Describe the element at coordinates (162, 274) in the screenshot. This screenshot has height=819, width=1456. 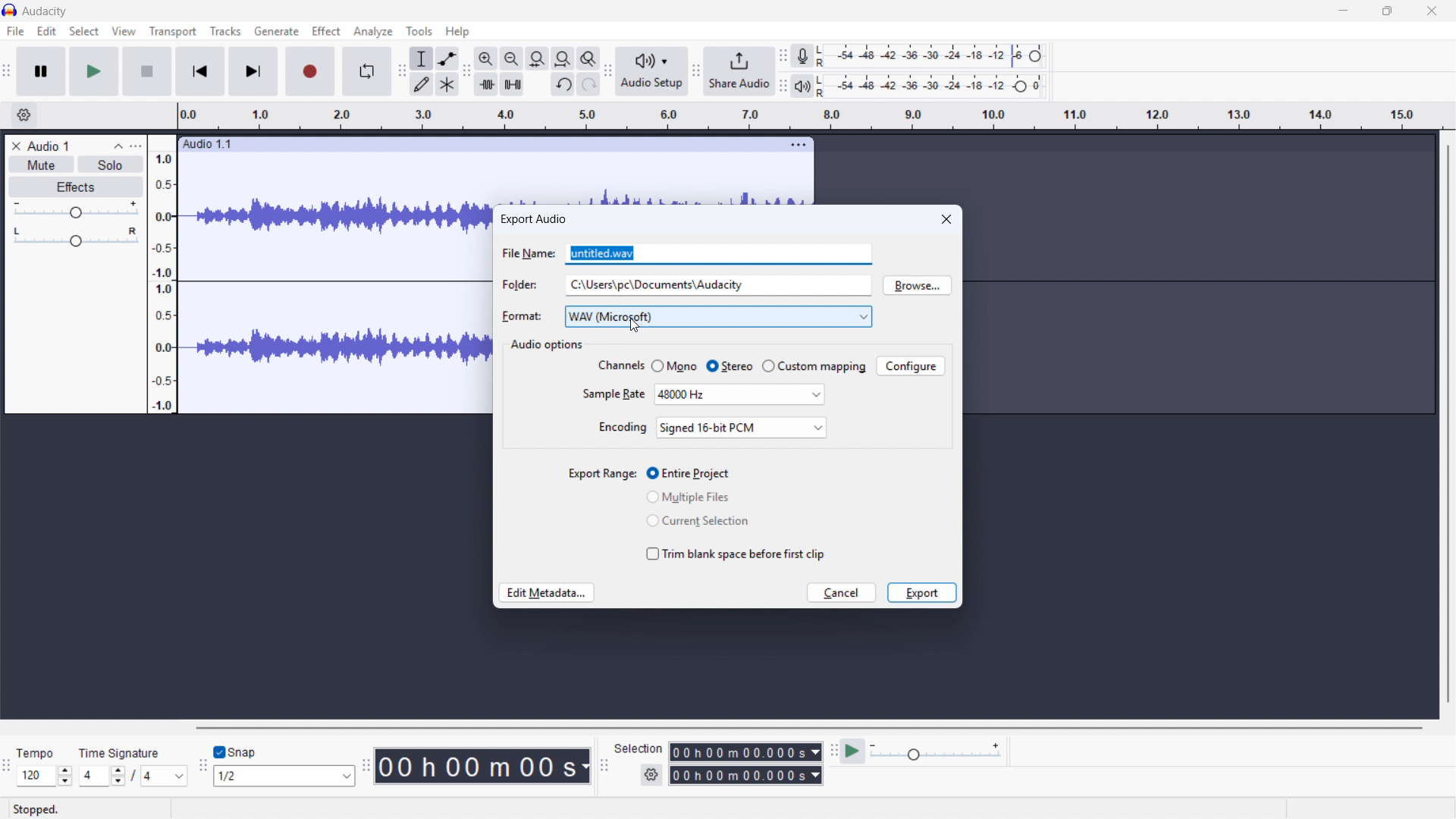
I see `Amplitude ` at that location.